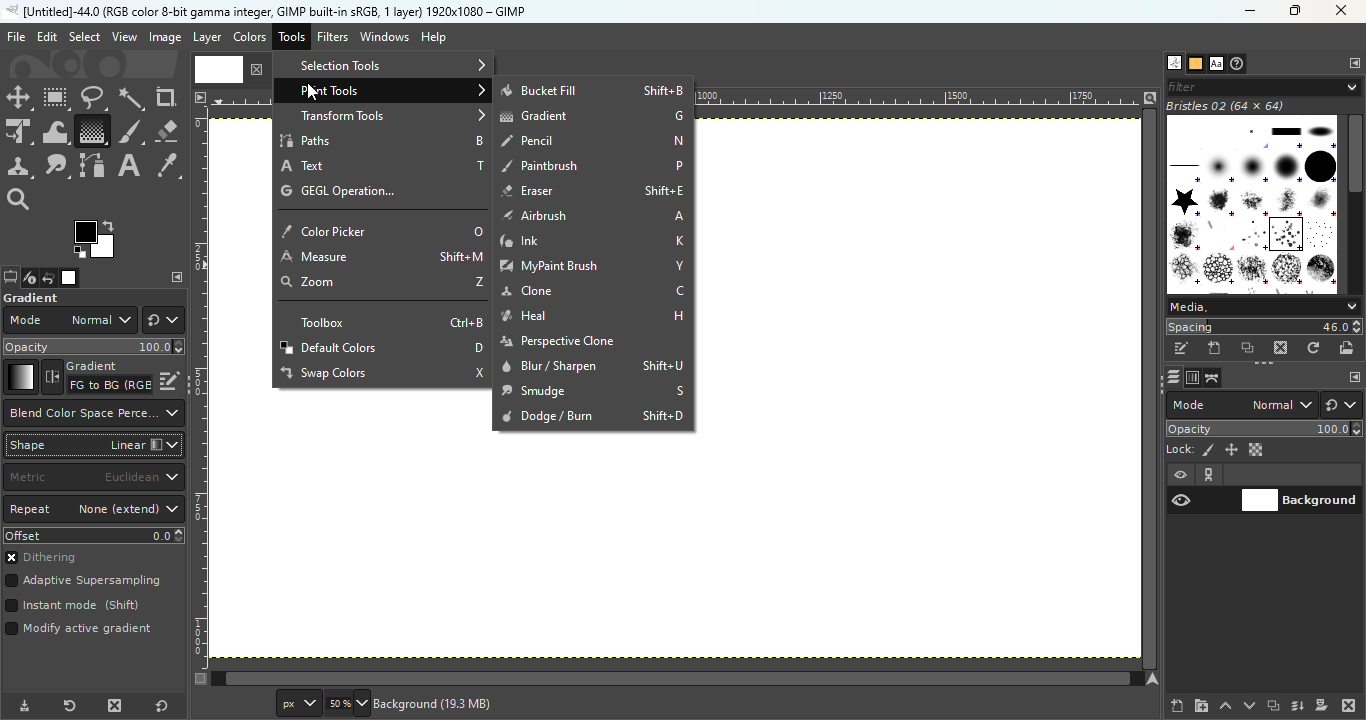 The height and width of the screenshot is (720, 1366). Describe the element at coordinates (200, 387) in the screenshot. I see `Vertical ruler` at that location.